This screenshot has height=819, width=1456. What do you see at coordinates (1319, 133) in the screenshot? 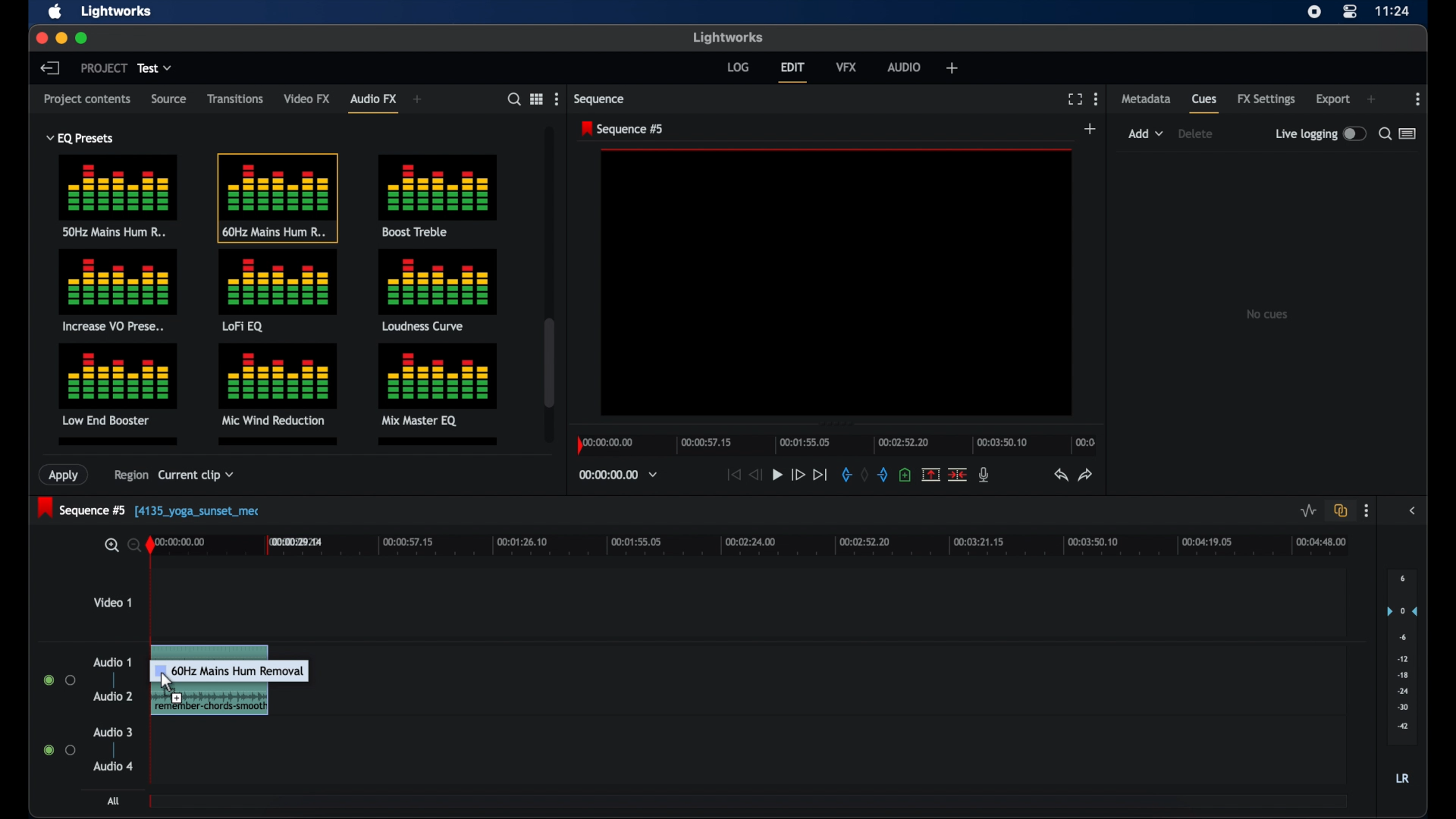
I see `live logging` at bounding box center [1319, 133].